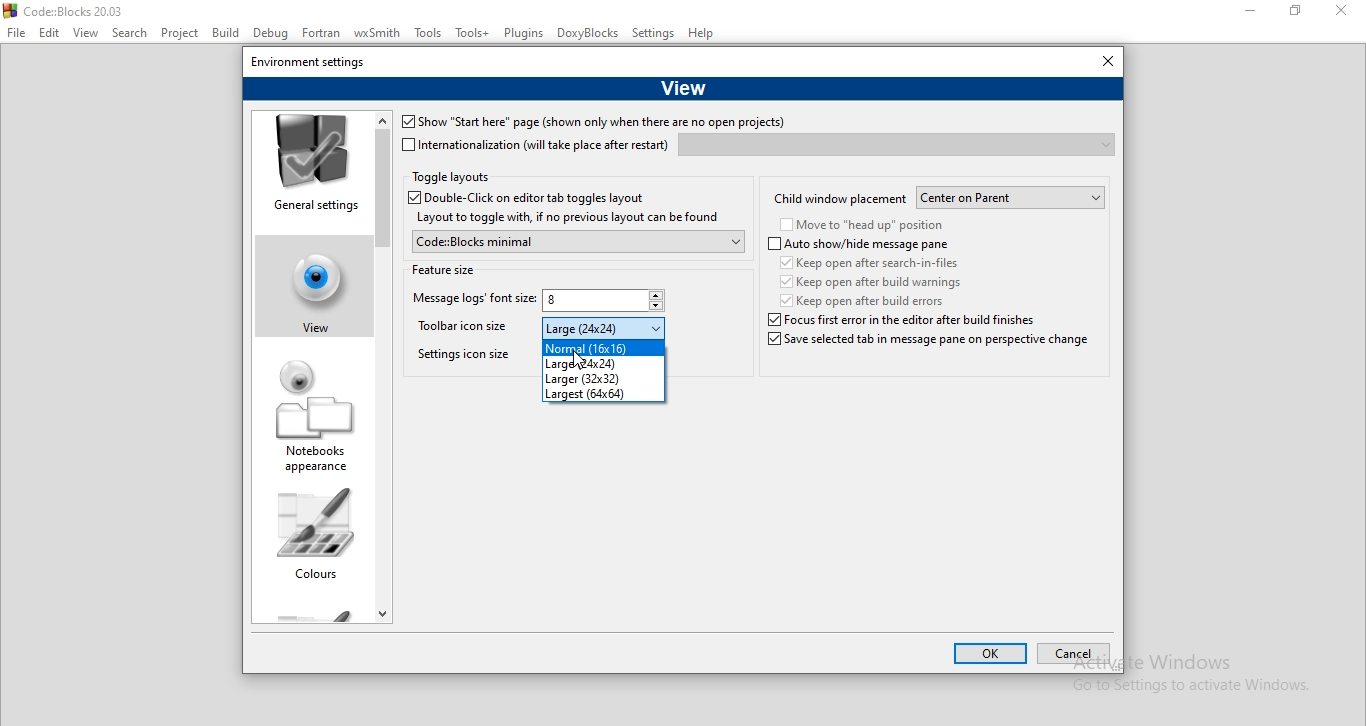 The width and height of the screenshot is (1366, 726). I want to click on Settings, so click(654, 34).